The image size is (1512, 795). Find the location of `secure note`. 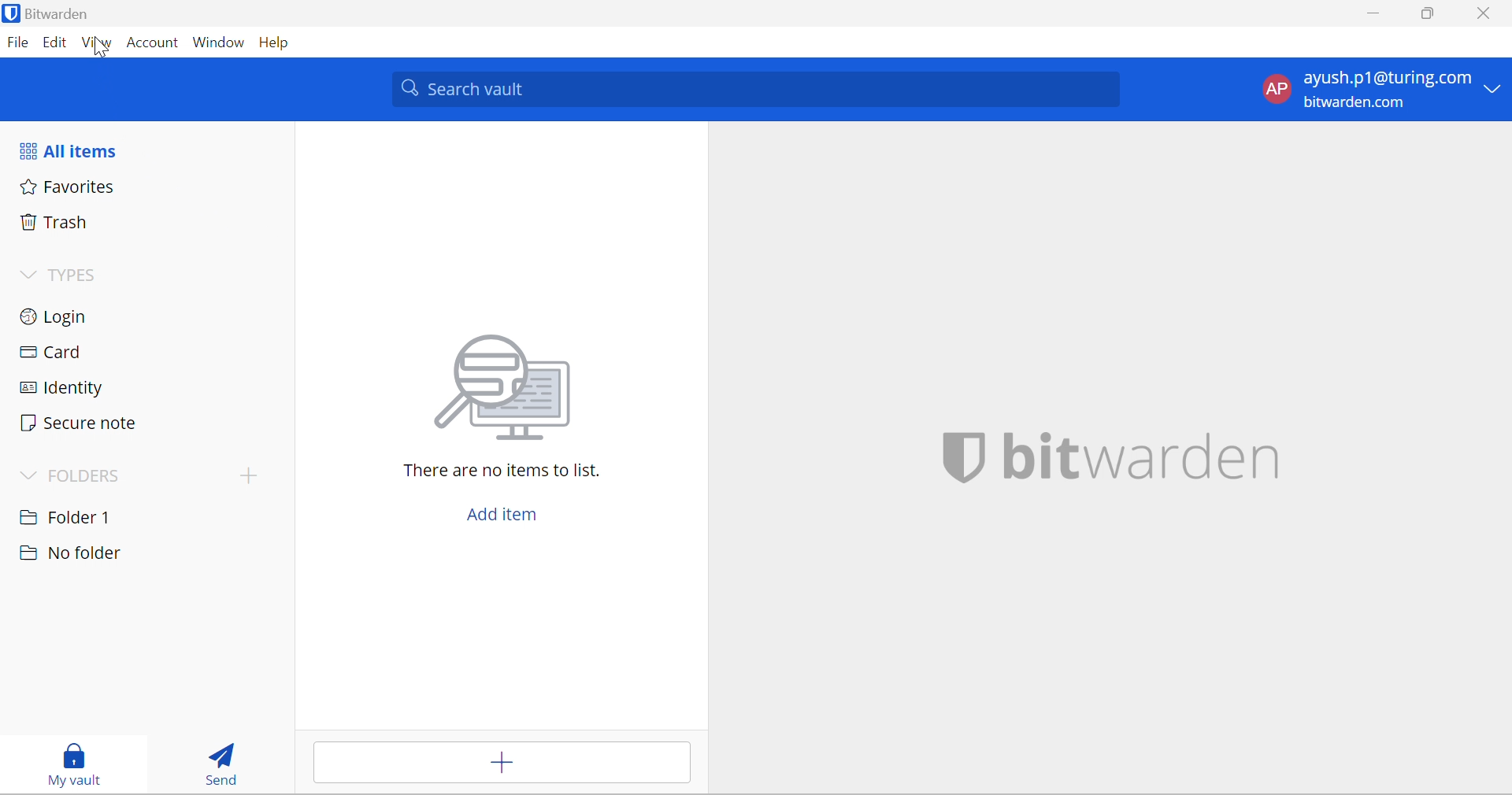

secure note is located at coordinates (80, 424).